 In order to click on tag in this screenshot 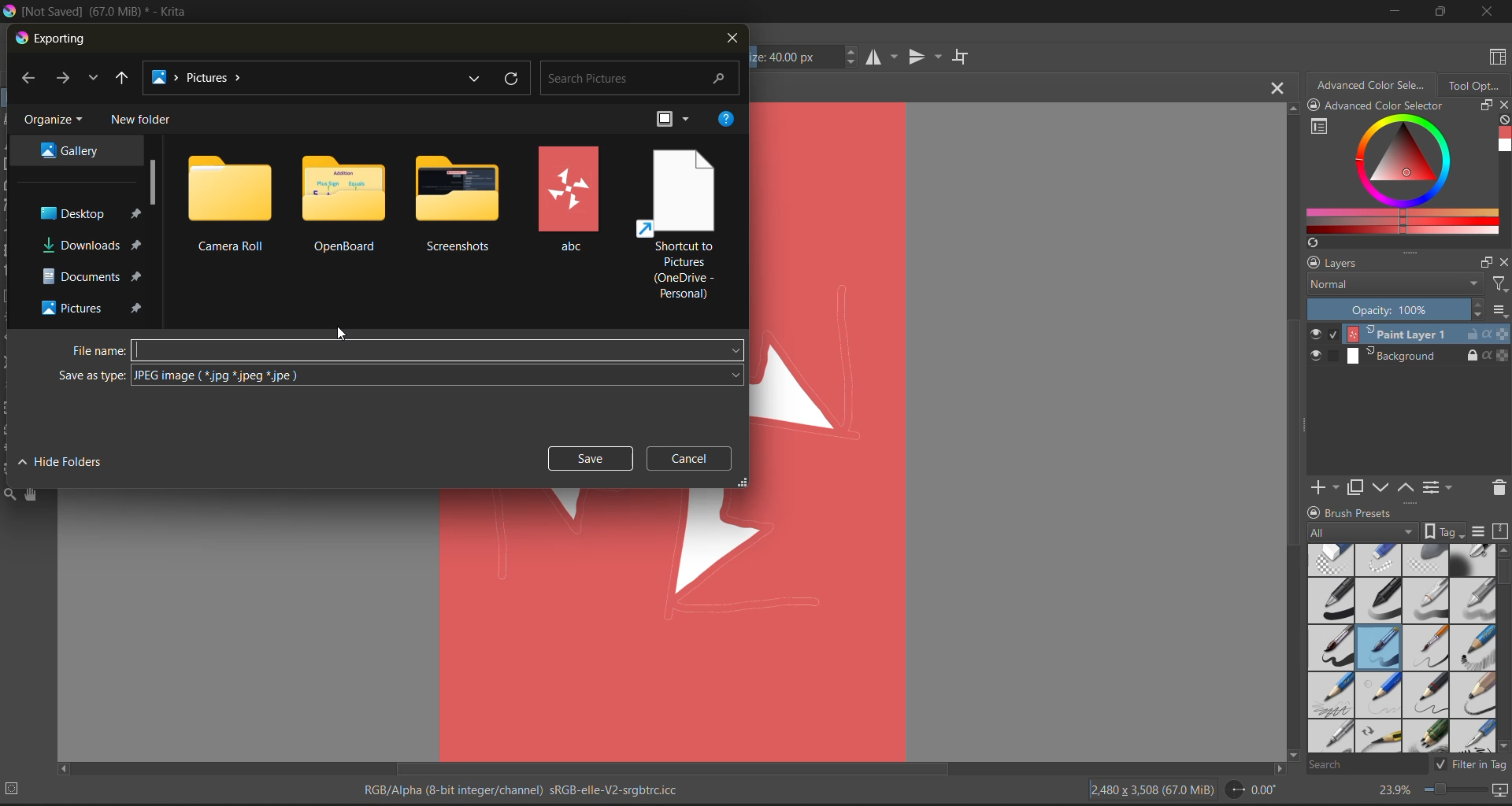, I will do `click(1389, 531)`.